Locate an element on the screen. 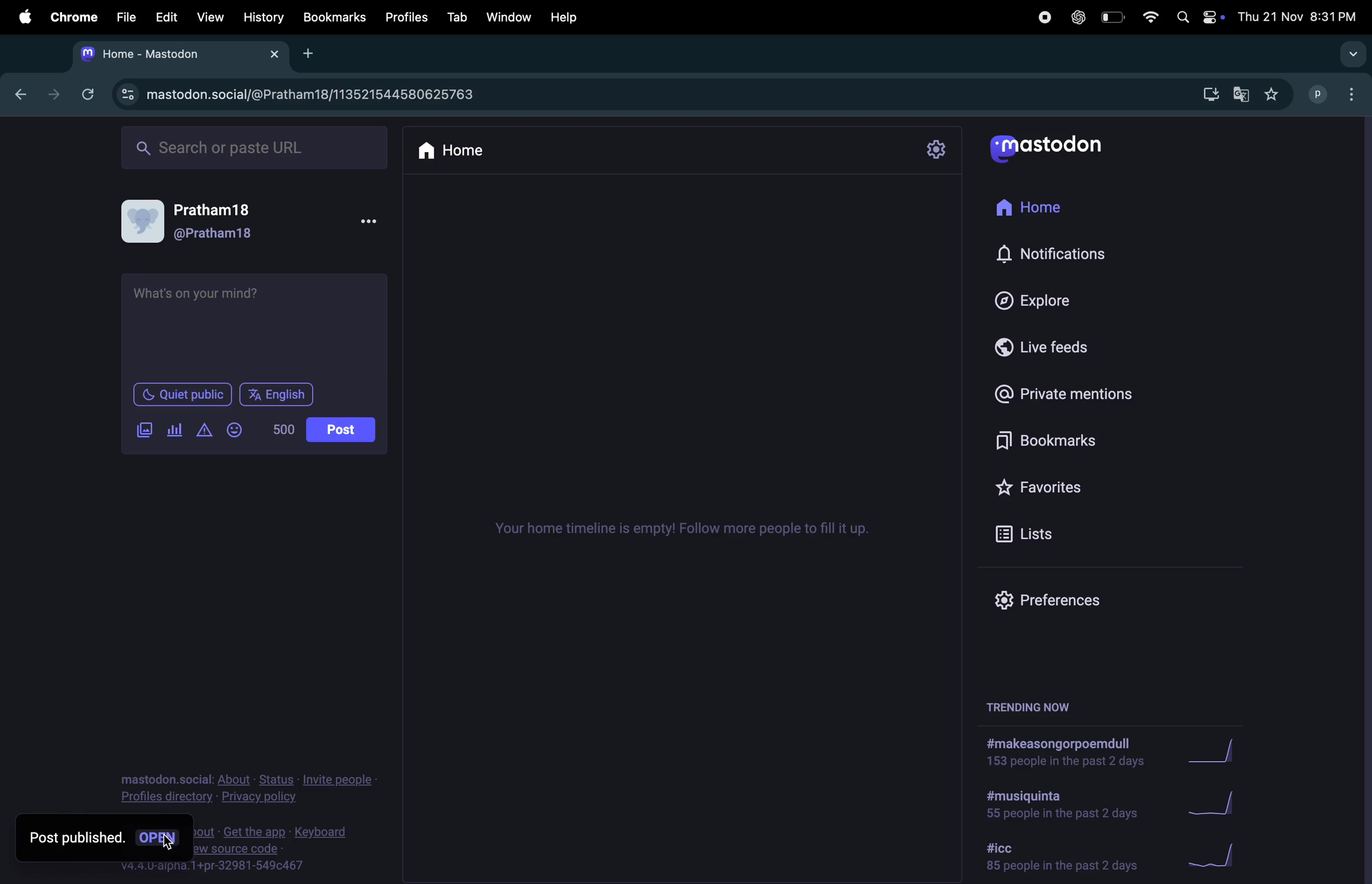 The width and height of the screenshot is (1372, 884). add content warning is located at coordinates (204, 429).